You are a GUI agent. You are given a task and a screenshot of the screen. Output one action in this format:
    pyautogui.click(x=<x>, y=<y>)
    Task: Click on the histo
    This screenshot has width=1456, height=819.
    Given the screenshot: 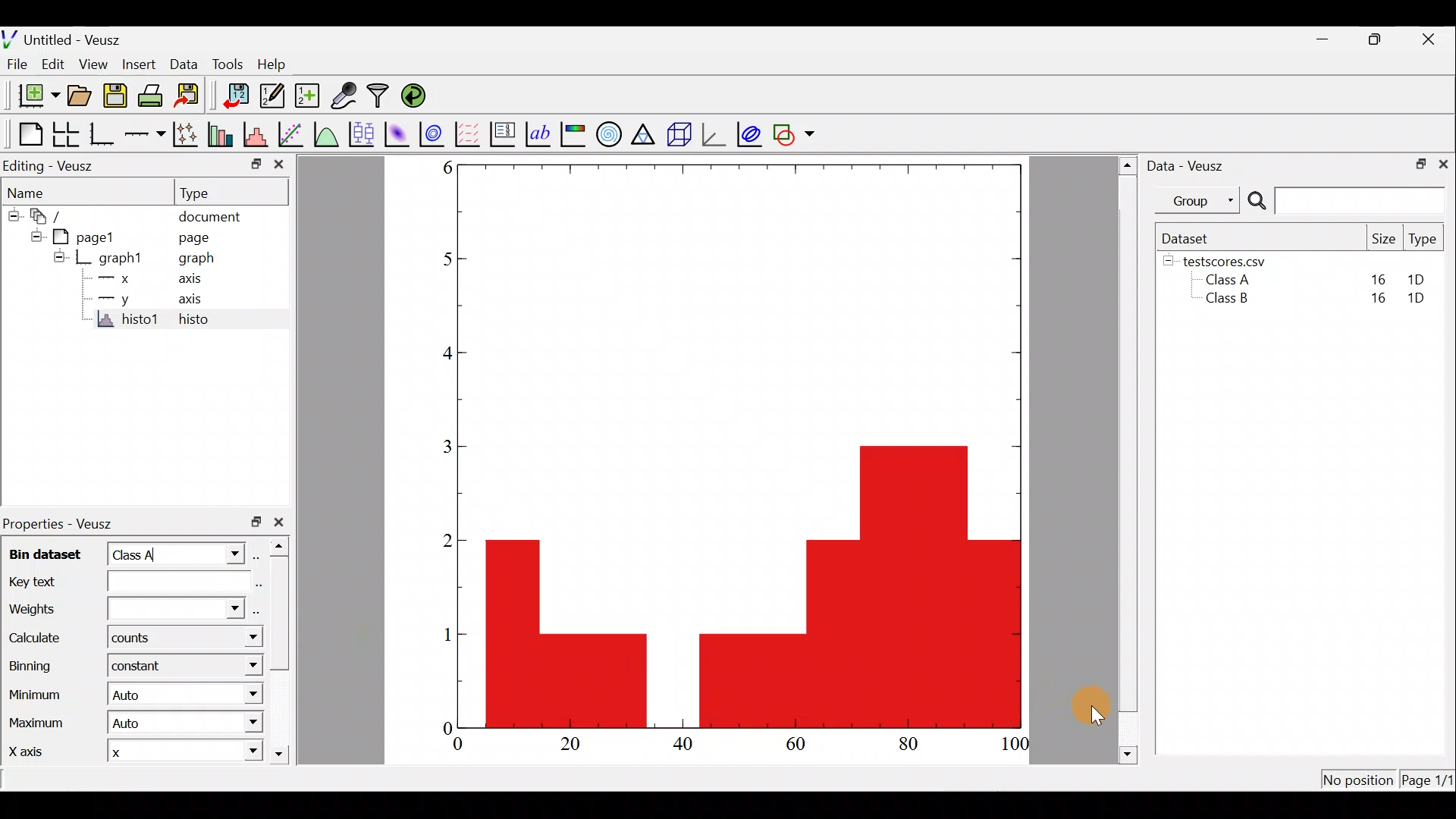 What is the action you would take?
    pyautogui.click(x=194, y=320)
    